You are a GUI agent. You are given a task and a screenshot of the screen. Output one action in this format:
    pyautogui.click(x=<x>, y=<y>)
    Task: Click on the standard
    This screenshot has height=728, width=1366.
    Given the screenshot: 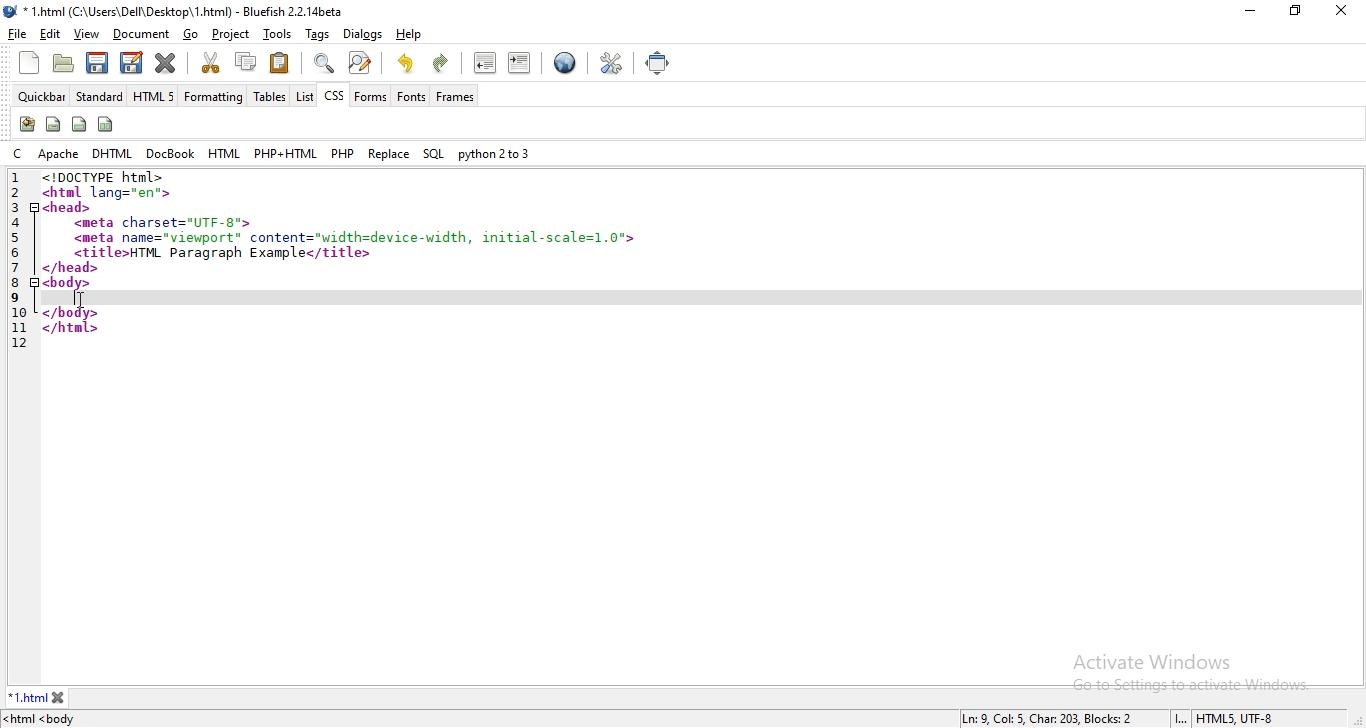 What is the action you would take?
    pyautogui.click(x=98, y=94)
    